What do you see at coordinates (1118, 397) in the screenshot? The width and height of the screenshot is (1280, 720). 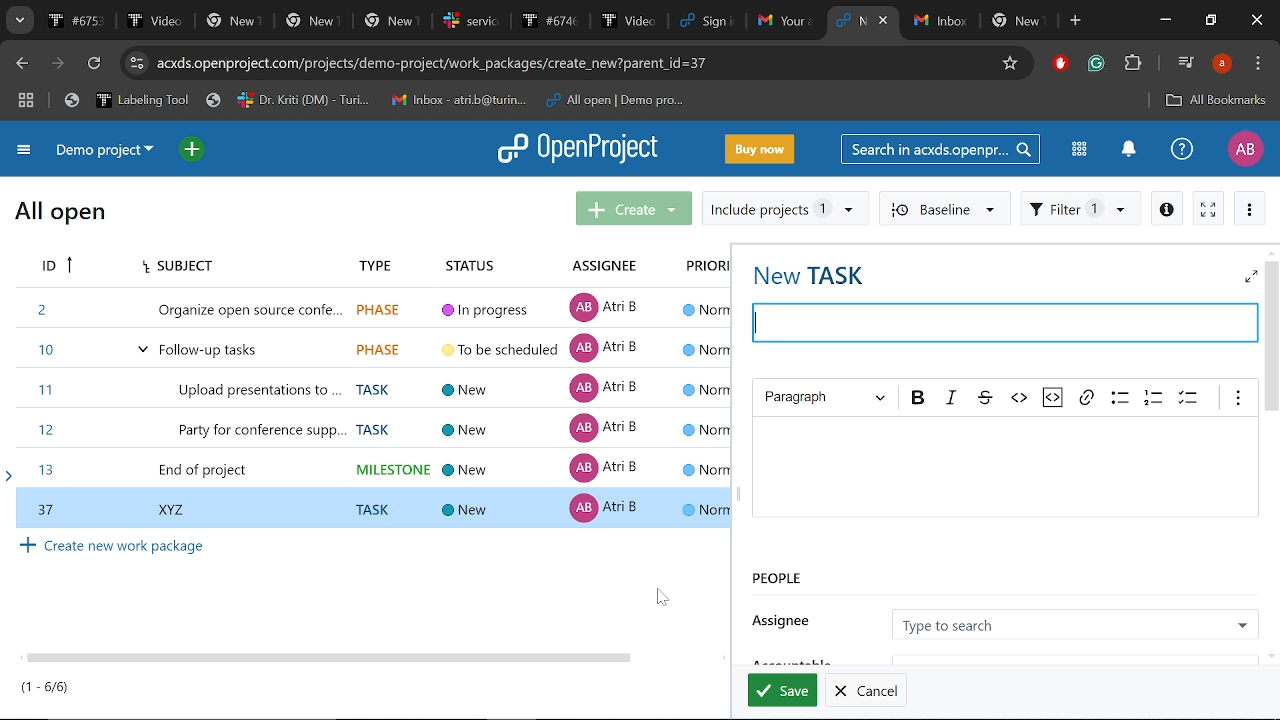 I see `Bulleted list` at bounding box center [1118, 397].